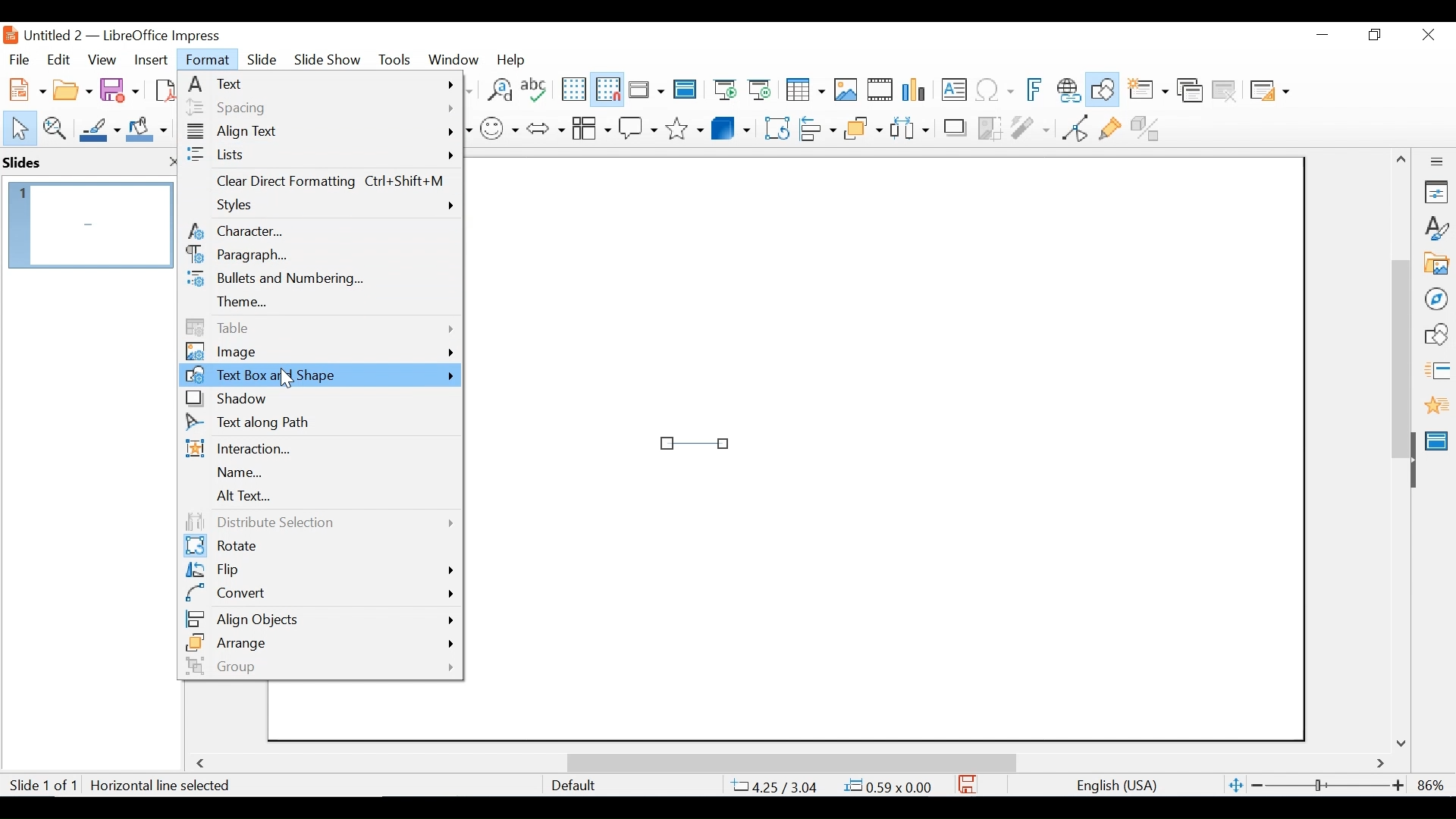 The height and width of the screenshot is (819, 1456). I want to click on Help, so click(515, 59).